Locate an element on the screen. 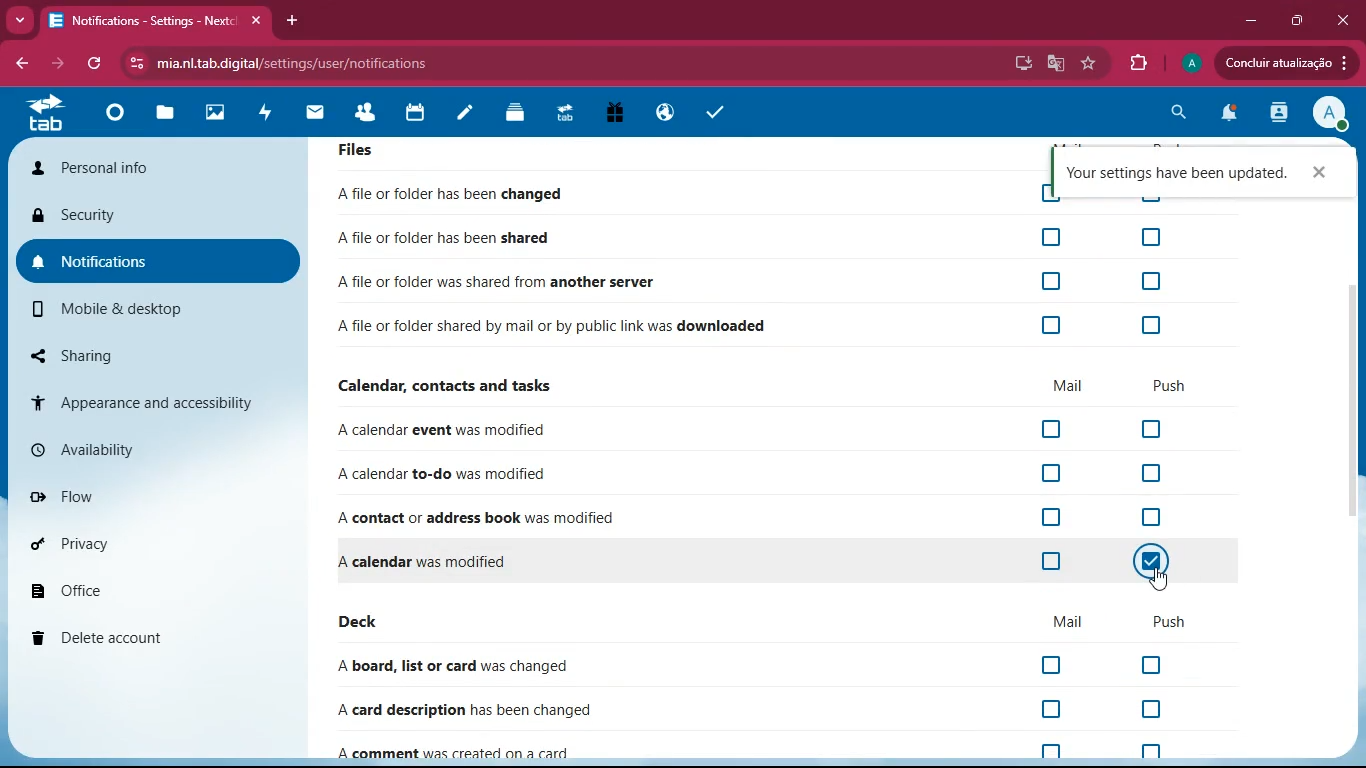 Image resolution: width=1366 pixels, height=768 pixels. tab is located at coordinates (143, 21).